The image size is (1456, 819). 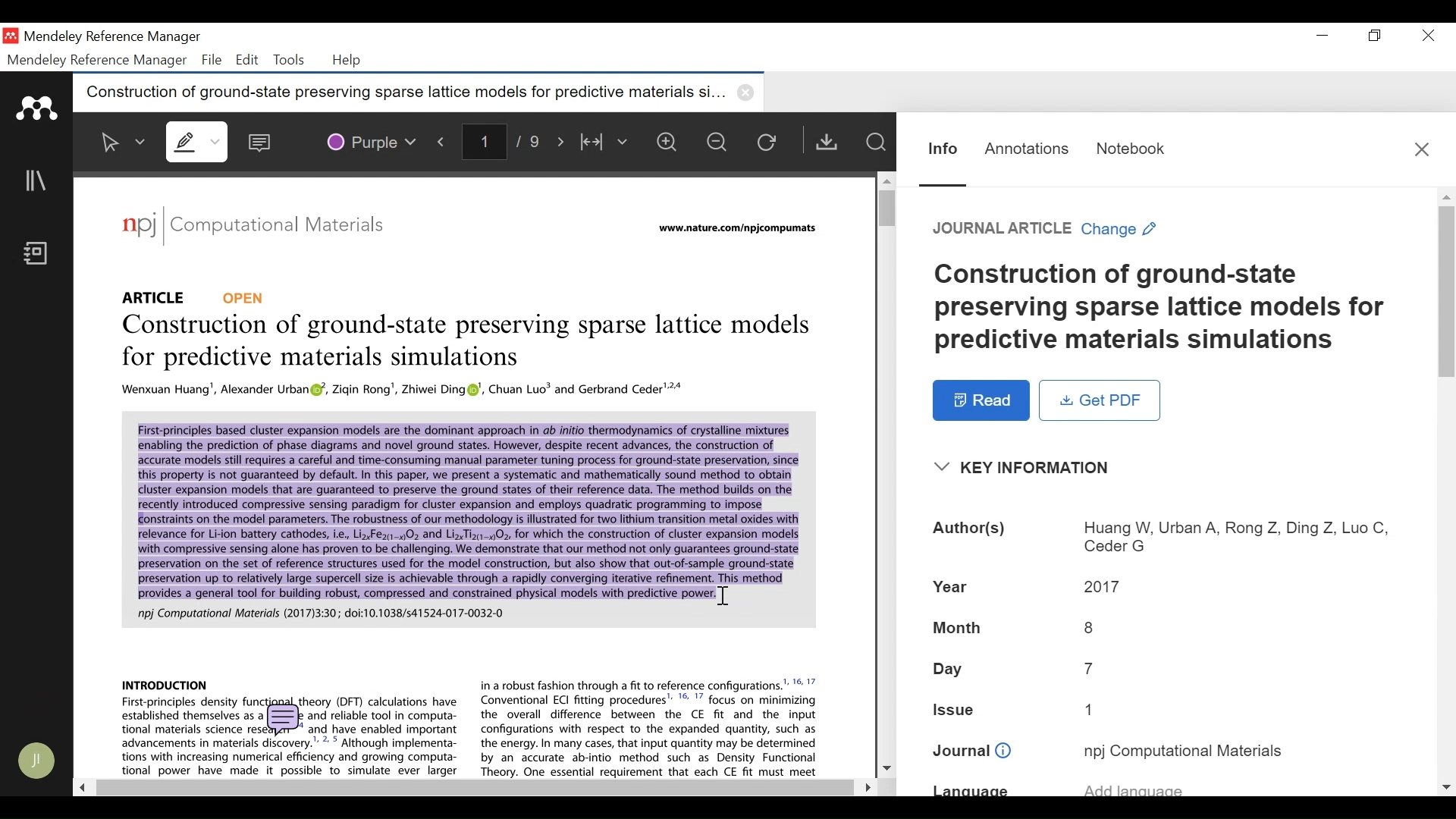 What do you see at coordinates (982, 400) in the screenshot?
I see `Read` at bounding box center [982, 400].